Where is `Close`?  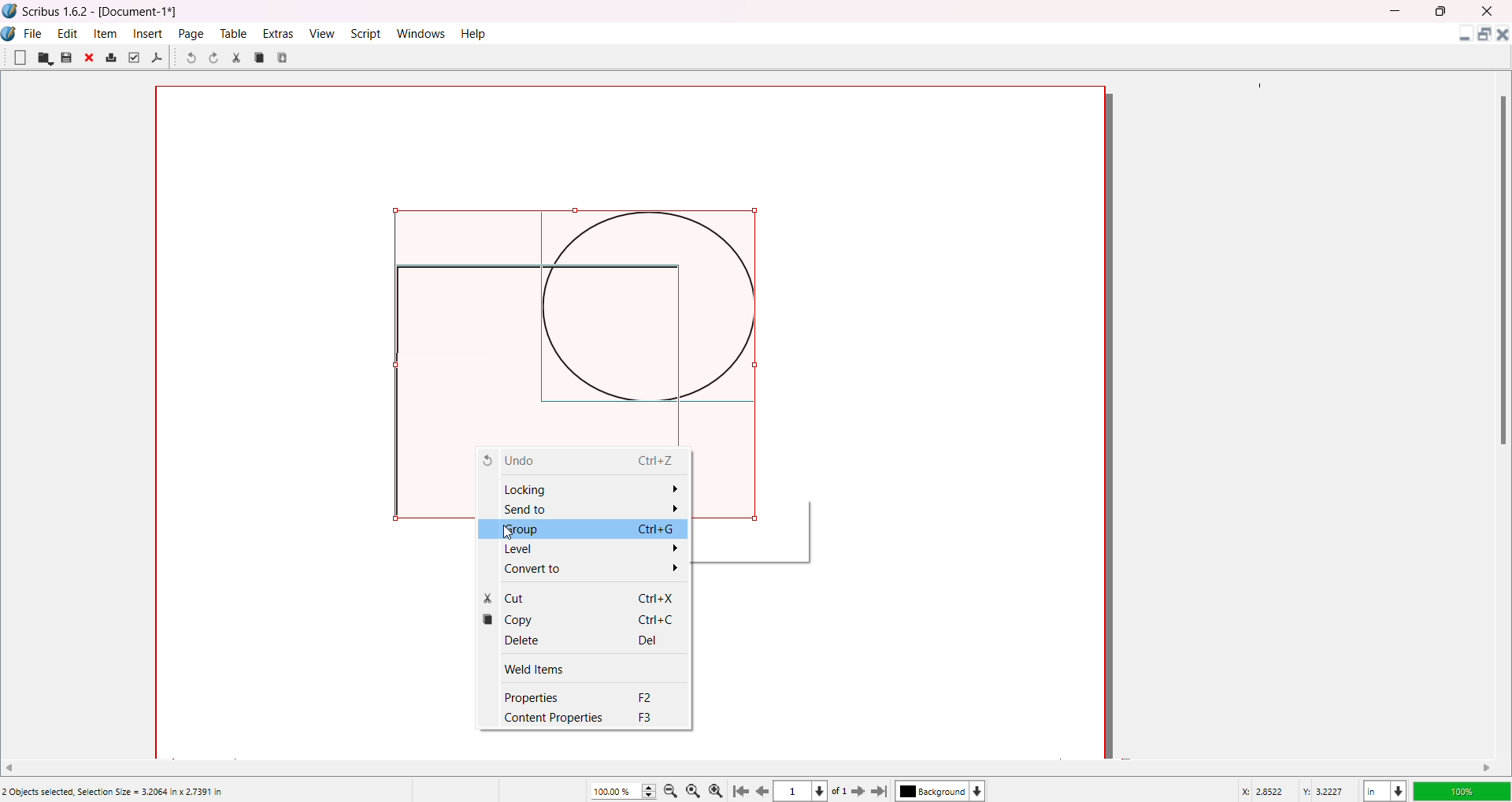
Close is located at coordinates (91, 59).